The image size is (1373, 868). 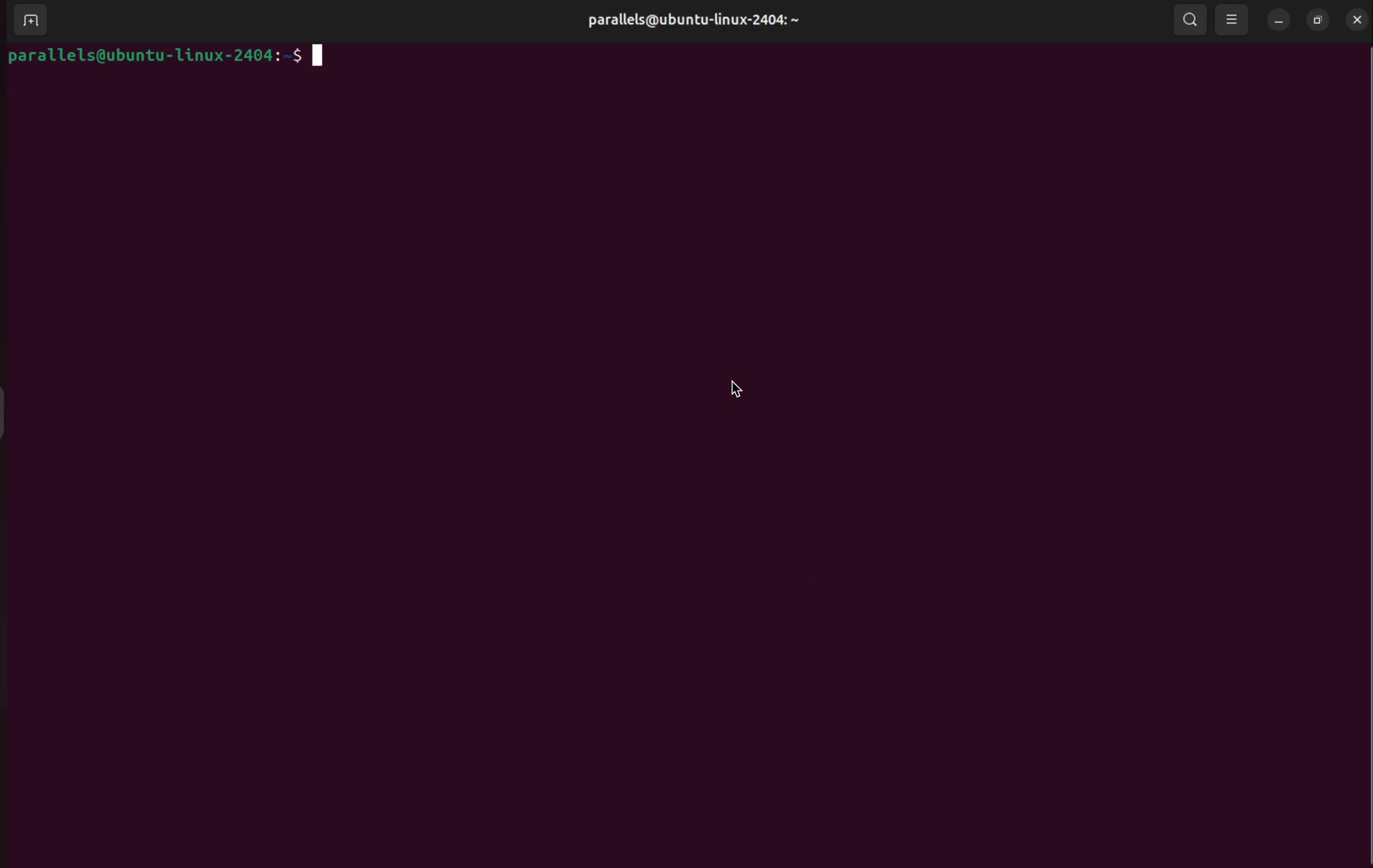 I want to click on minimize, so click(x=1276, y=18).